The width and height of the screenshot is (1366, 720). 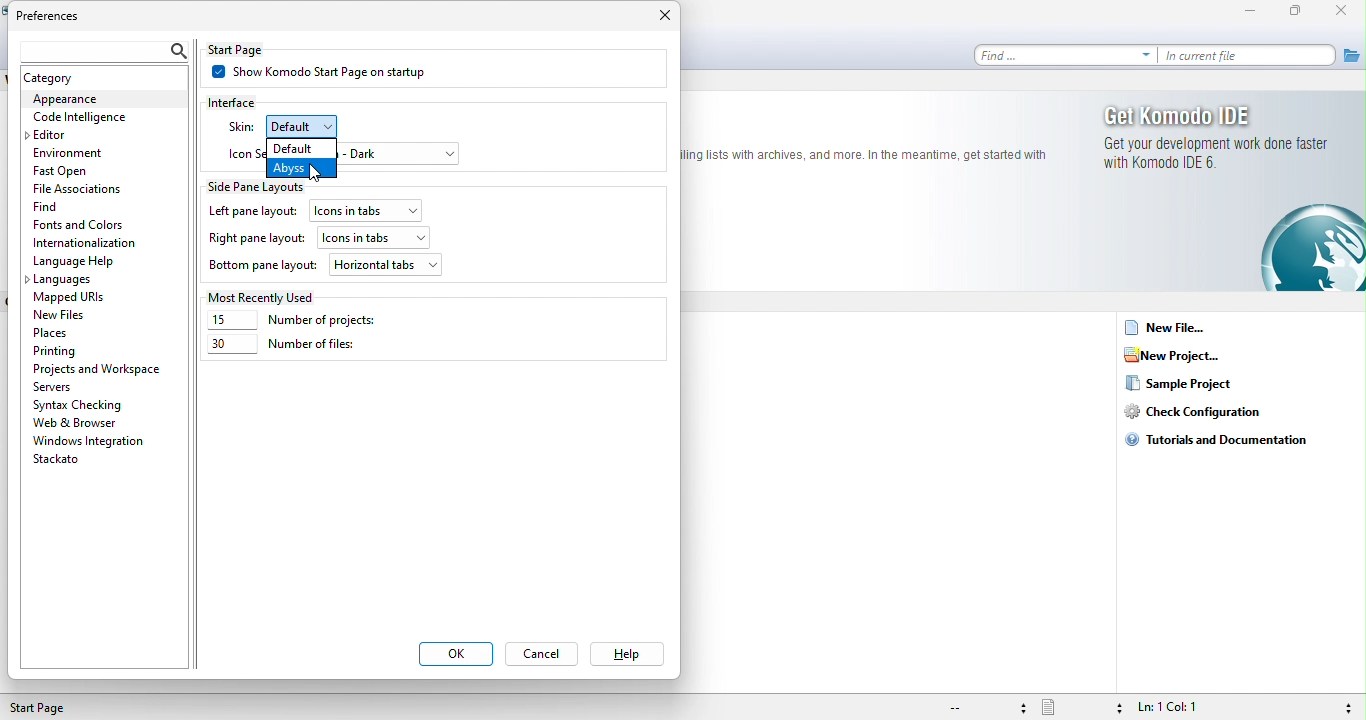 What do you see at coordinates (91, 422) in the screenshot?
I see `web and browser` at bounding box center [91, 422].